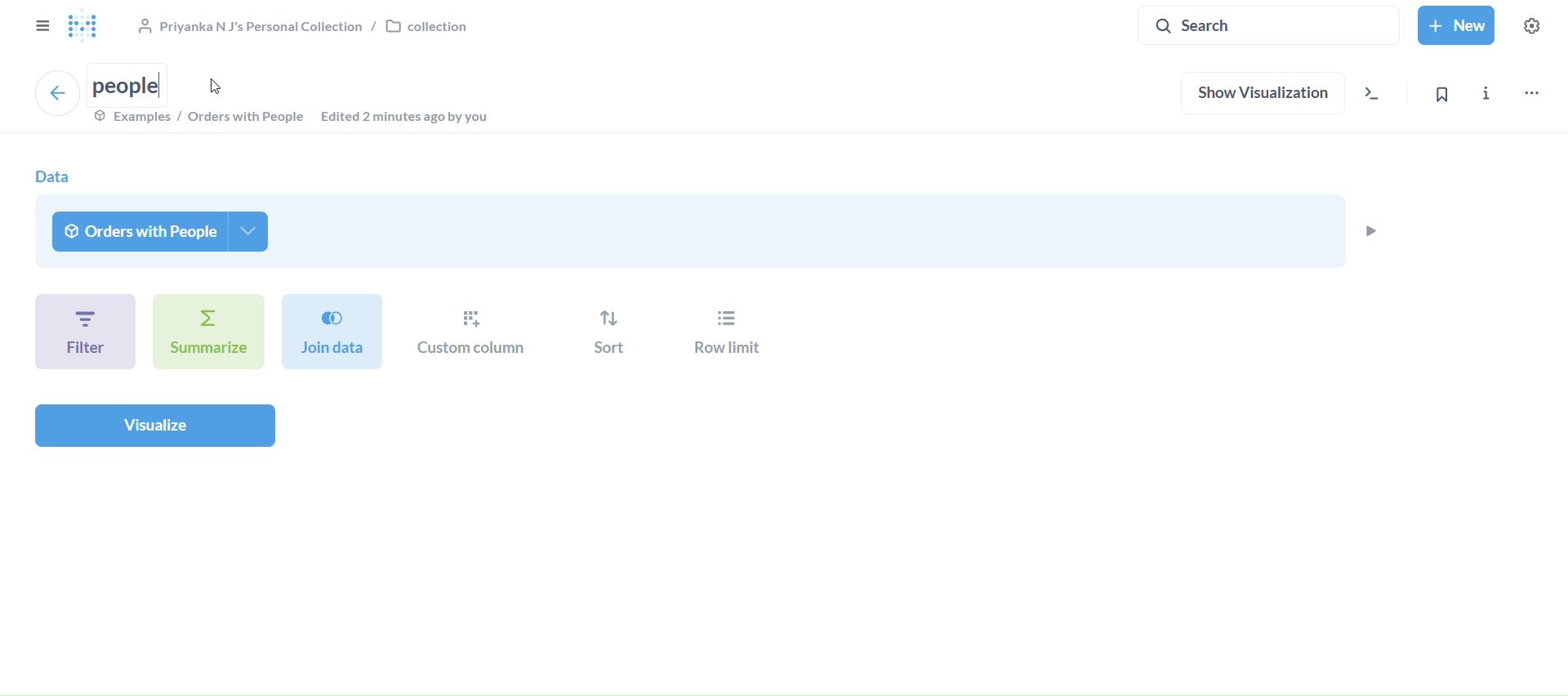 Image resolution: width=1568 pixels, height=696 pixels. Describe the element at coordinates (85, 26) in the screenshot. I see `logo` at that location.